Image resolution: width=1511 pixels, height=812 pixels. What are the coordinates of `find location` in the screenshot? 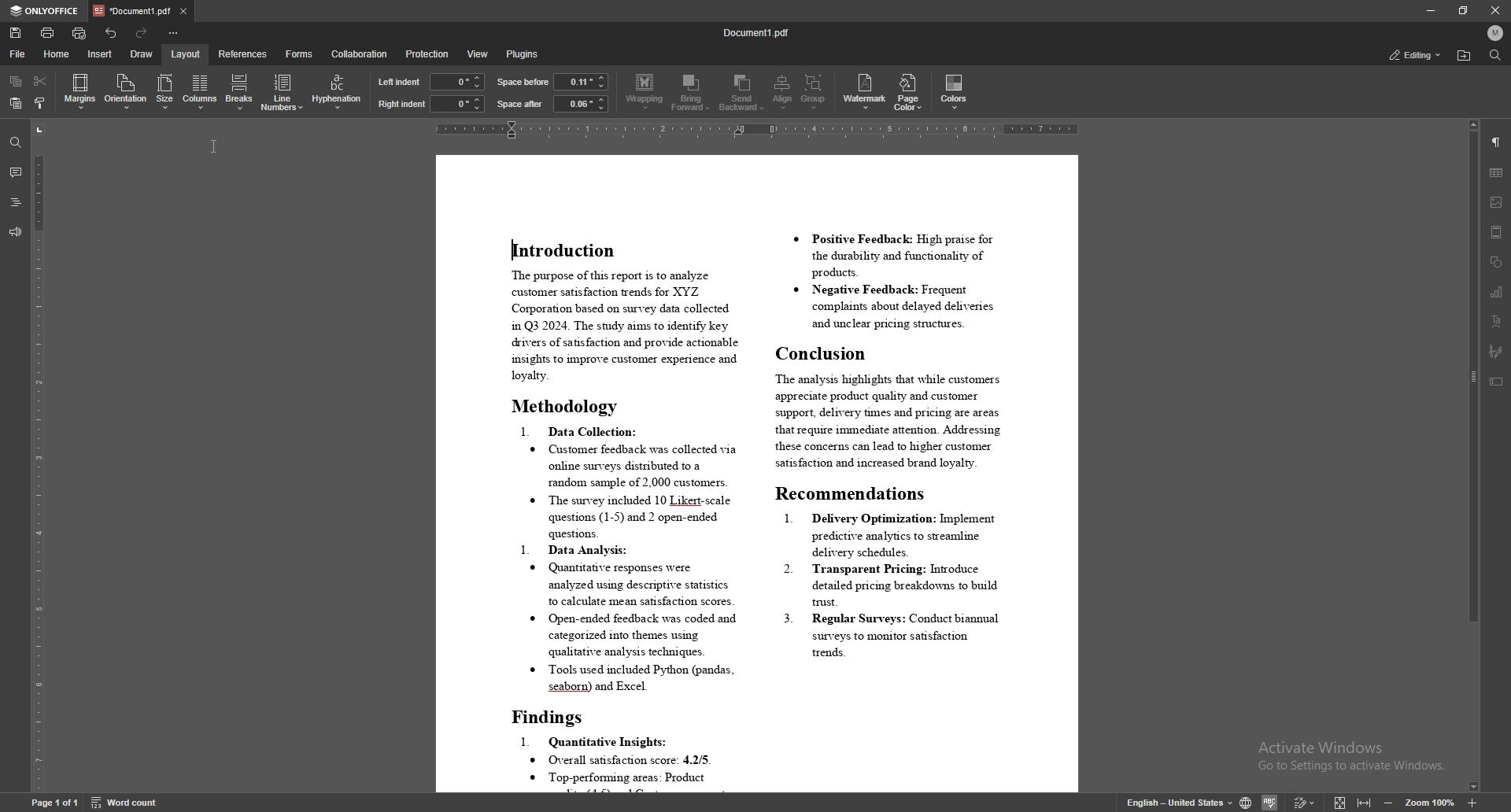 It's located at (1465, 56).